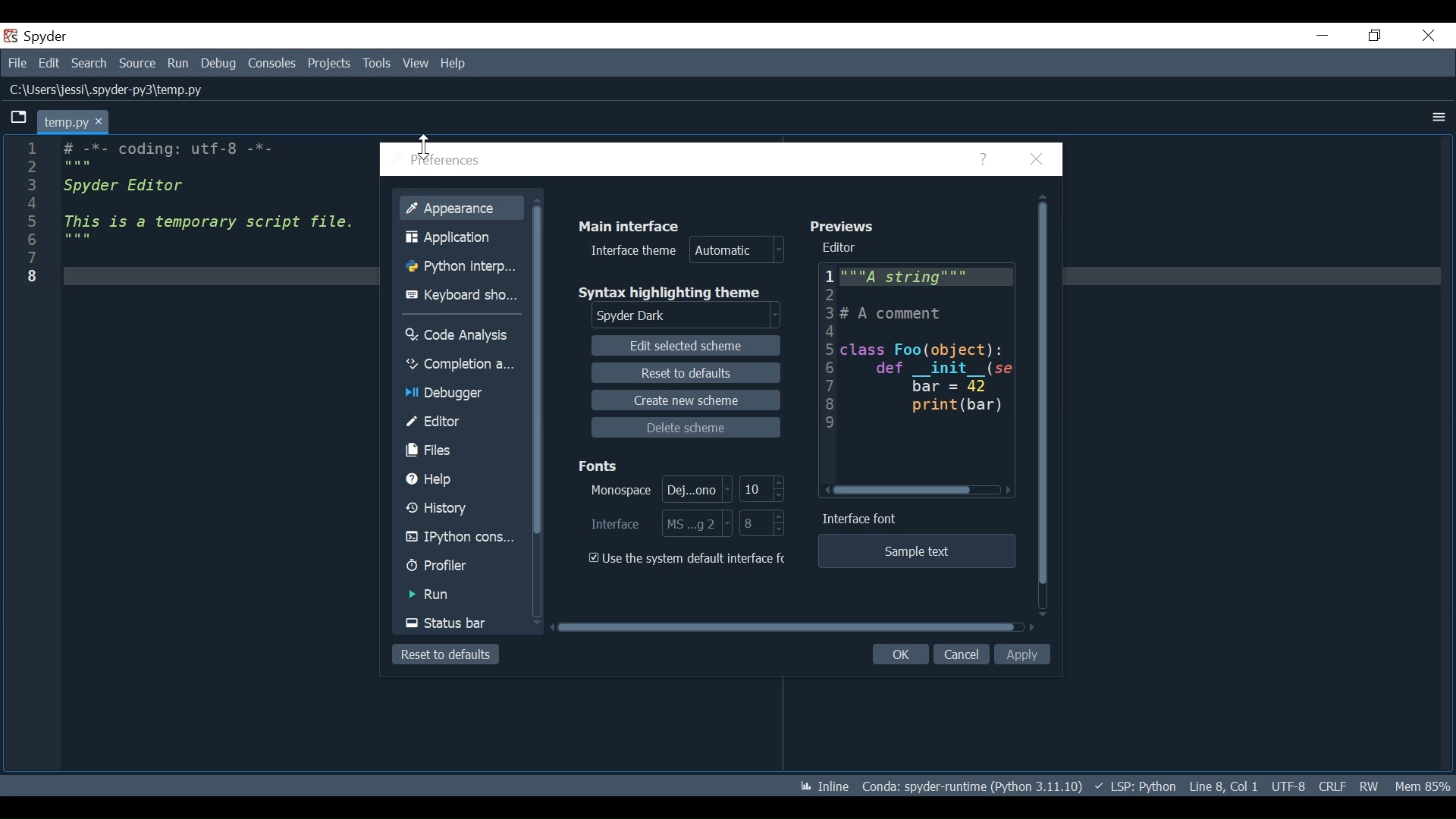  Describe the element at coordinates (461, 537) in the screenshot. I see `IPython Console` at that location.